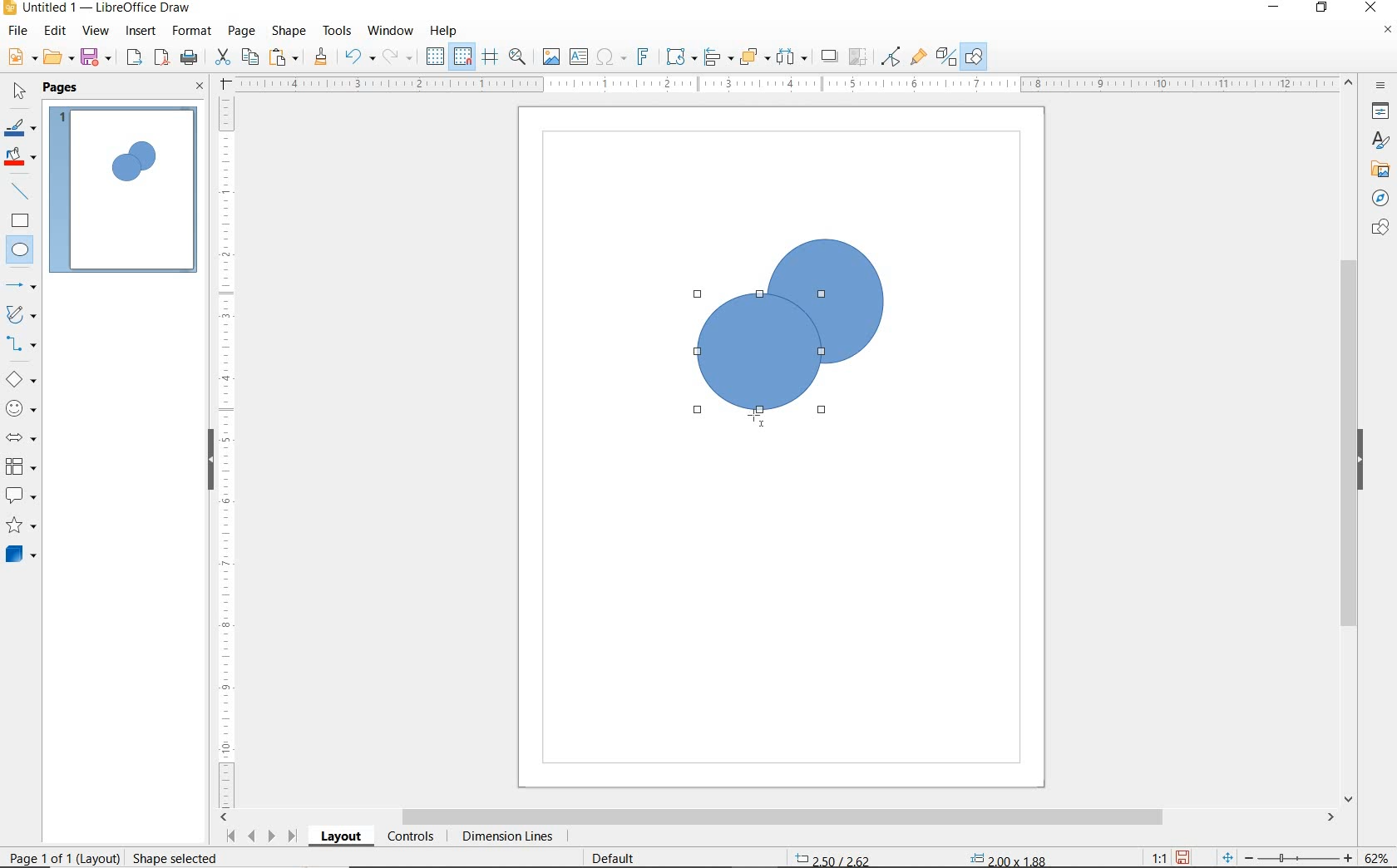  Describe the element at coordinates (62, 87) in the screenshot. I see `PAGES` at that location.